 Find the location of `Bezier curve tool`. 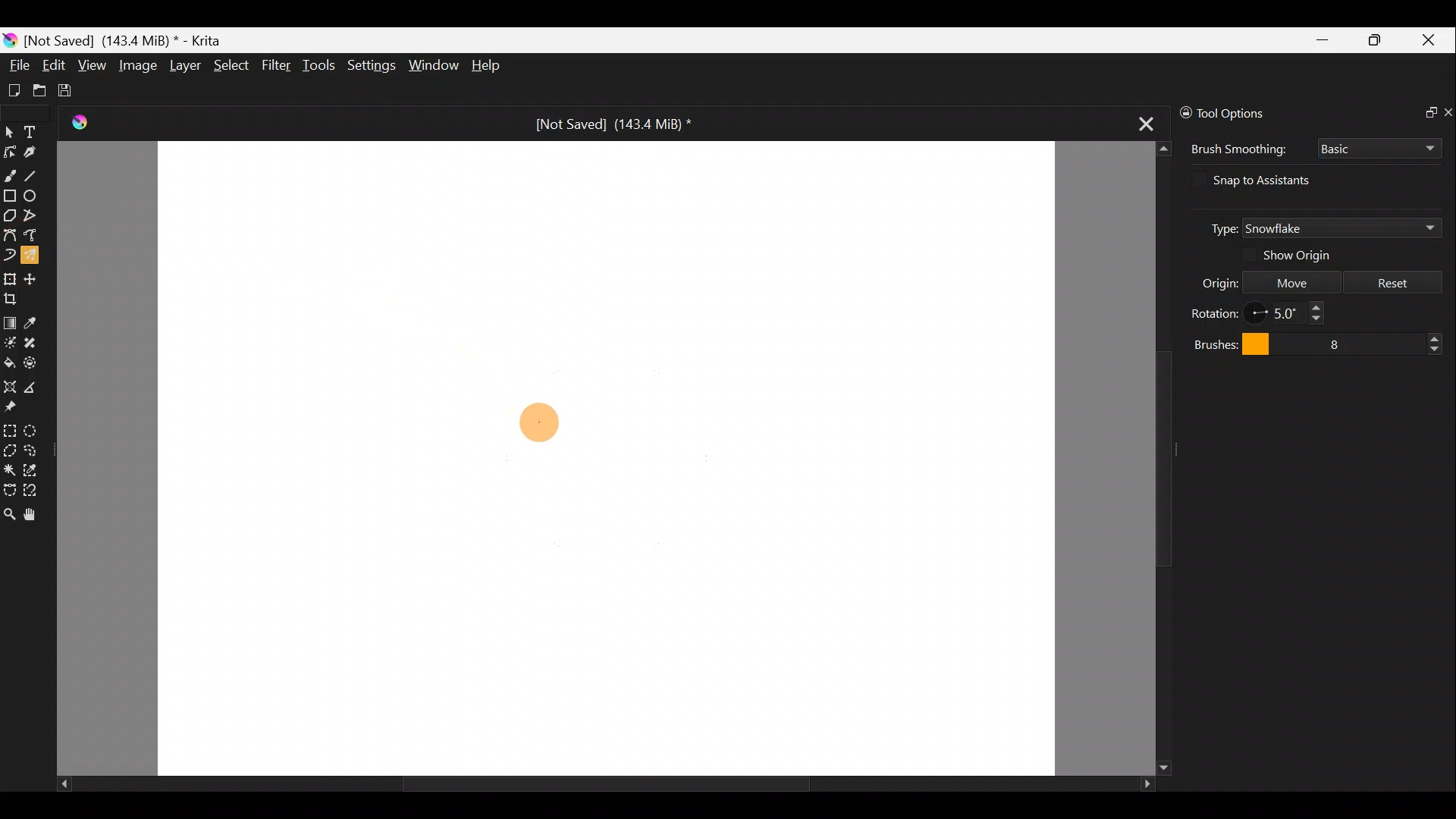

Bezier curve tool is located at coordinates (9, 236).